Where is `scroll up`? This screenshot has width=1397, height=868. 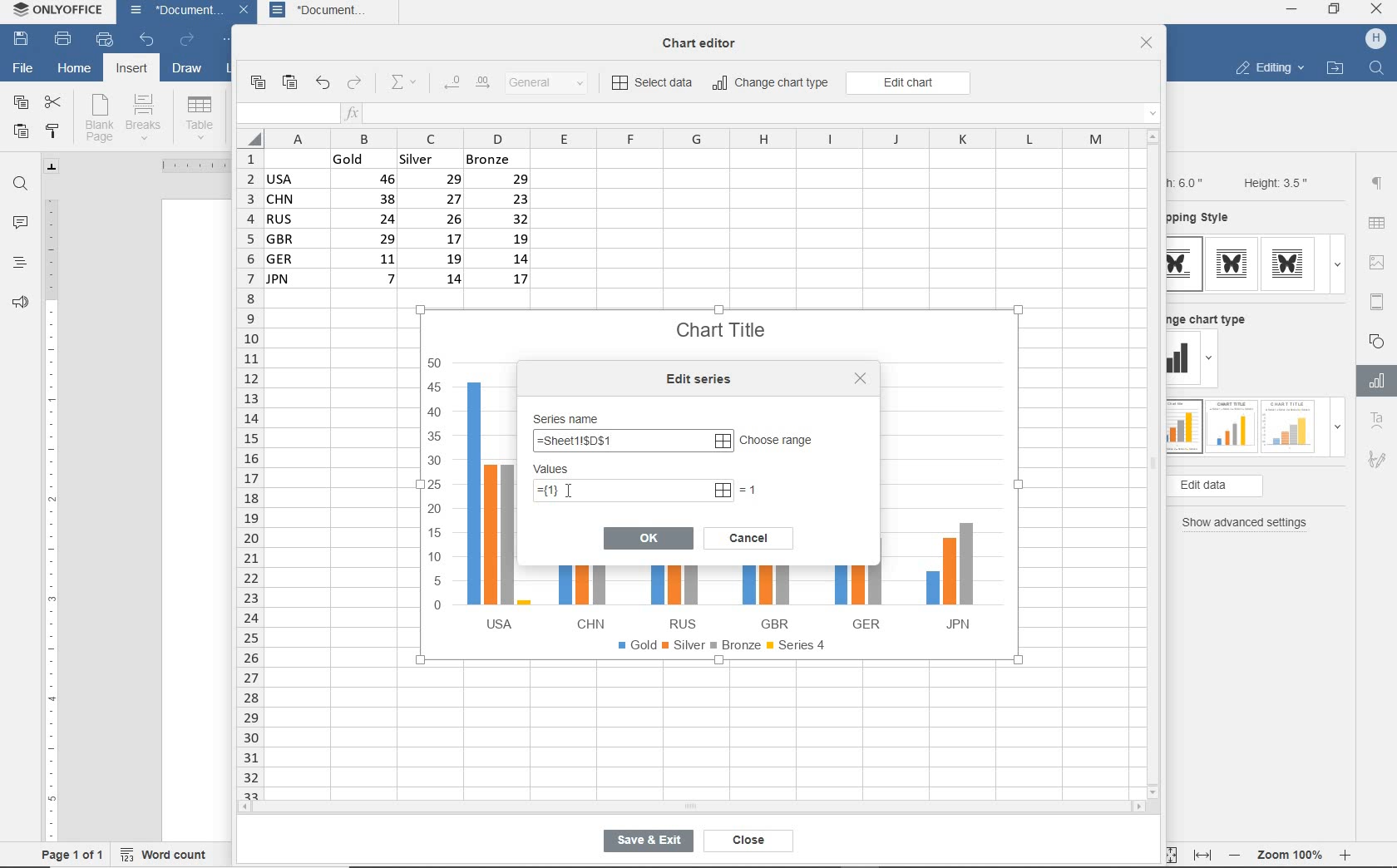 scroll up is located at coordinates (1153, 136).